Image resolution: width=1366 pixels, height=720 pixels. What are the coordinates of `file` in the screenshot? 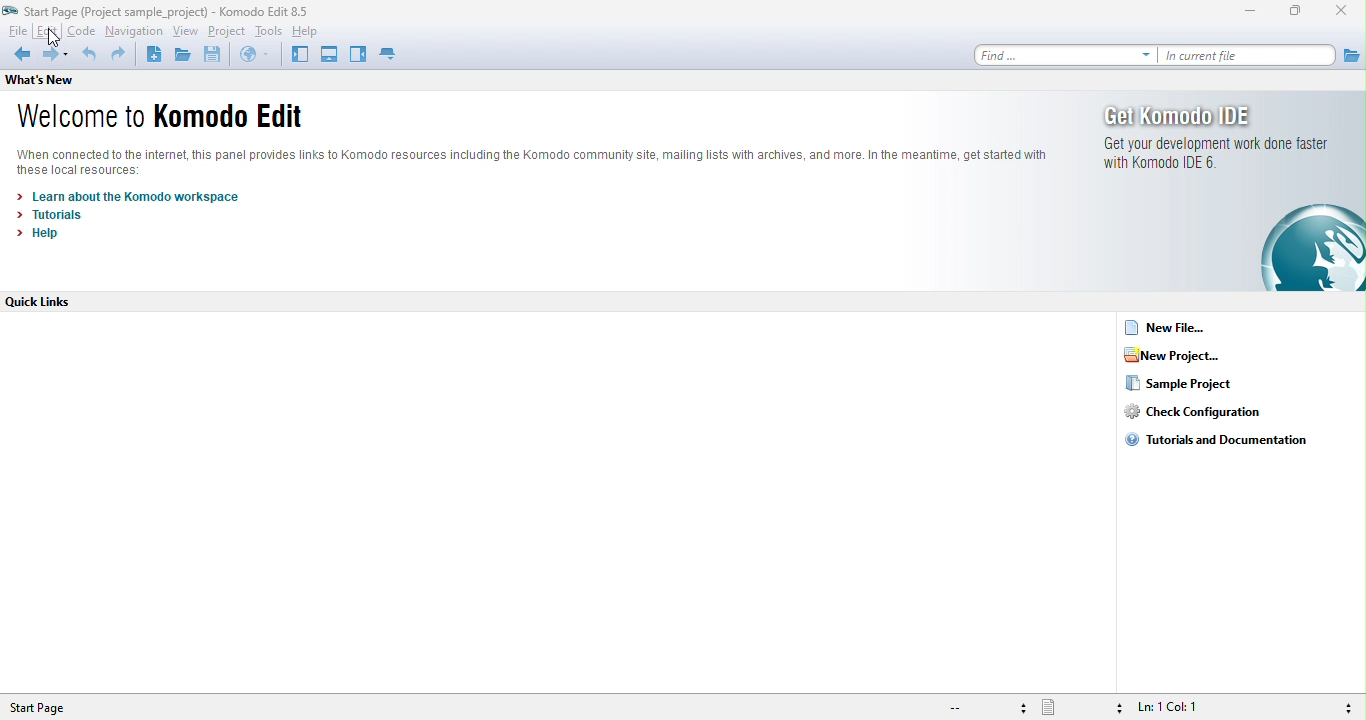 It's located at (1351, 54).